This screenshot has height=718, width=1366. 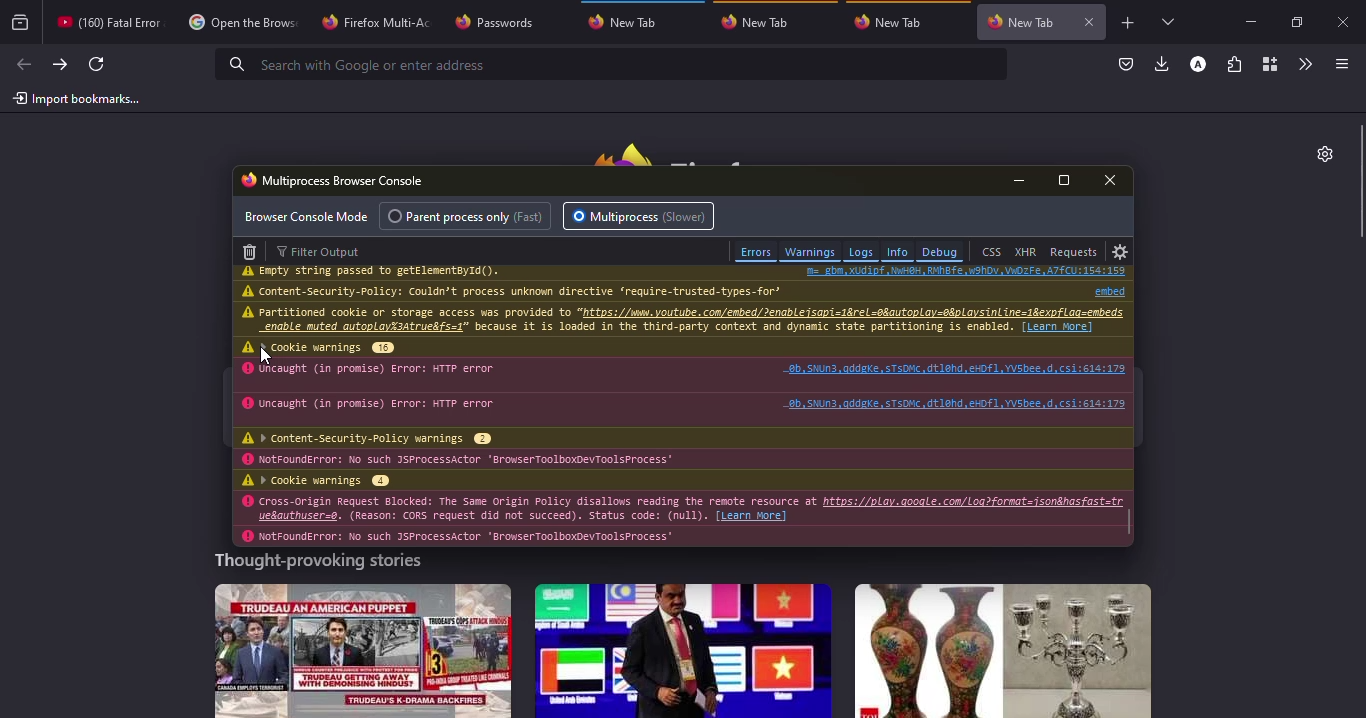 What do you see at coordinates (247, 537) in the screenshot?
I see `warning` at bounding box center [247, 537].